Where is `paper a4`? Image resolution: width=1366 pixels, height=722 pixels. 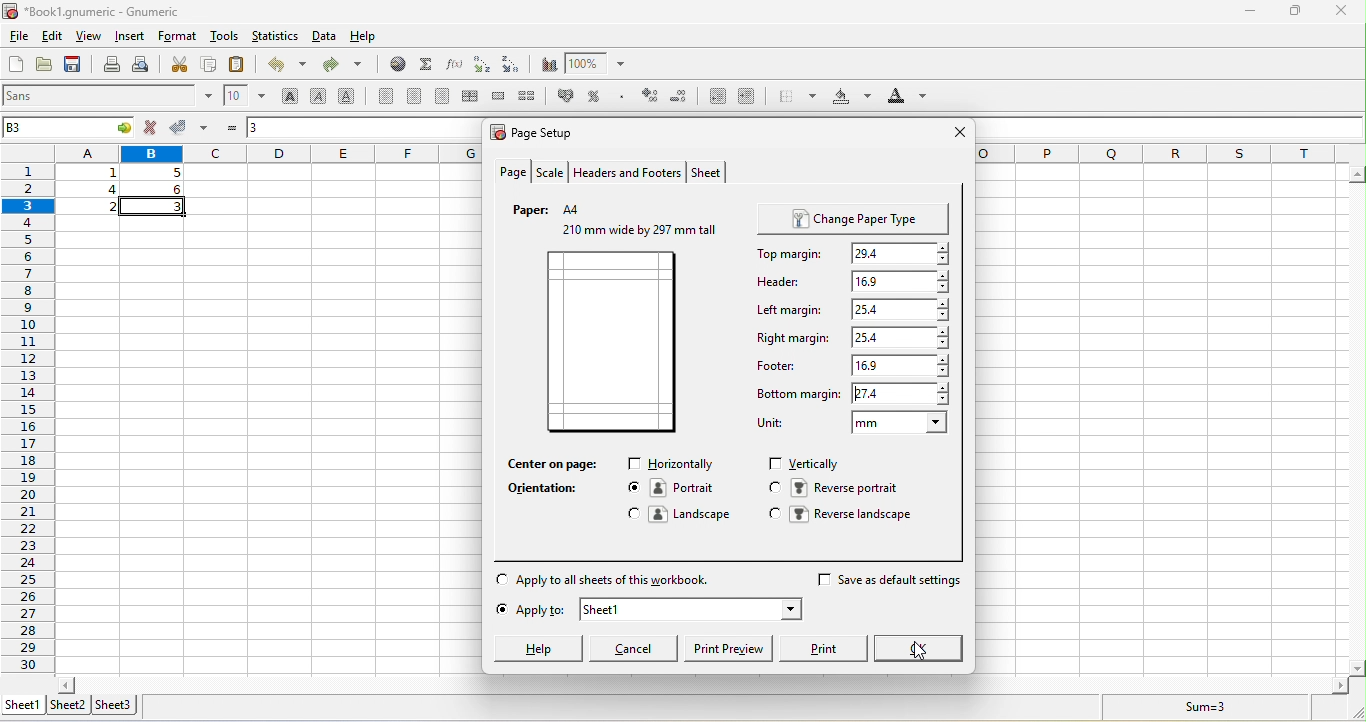 paper a4 is located at coordinates (554, 208).